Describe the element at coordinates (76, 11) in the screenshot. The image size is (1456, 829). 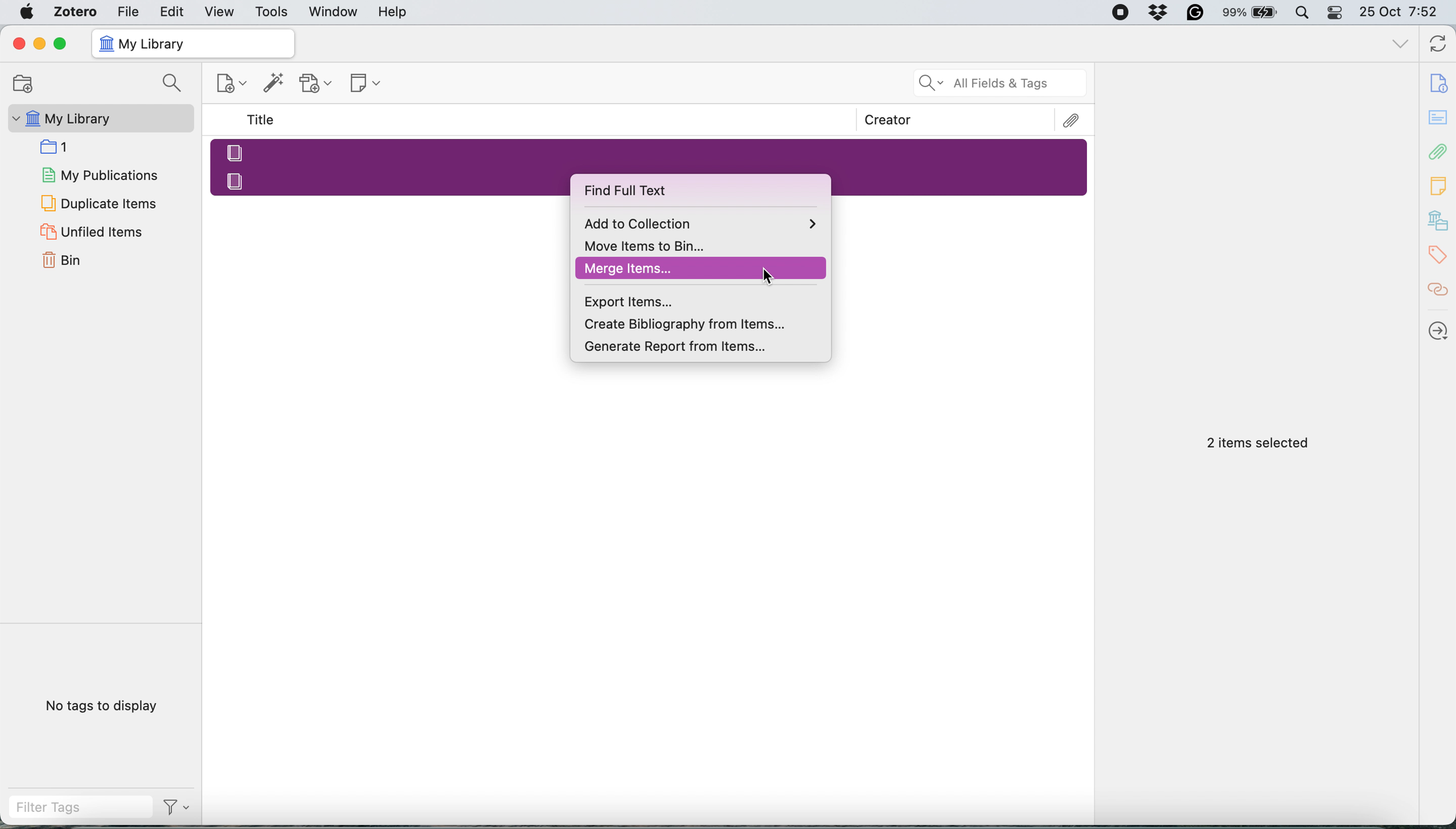
I see `Zotero` at that location.